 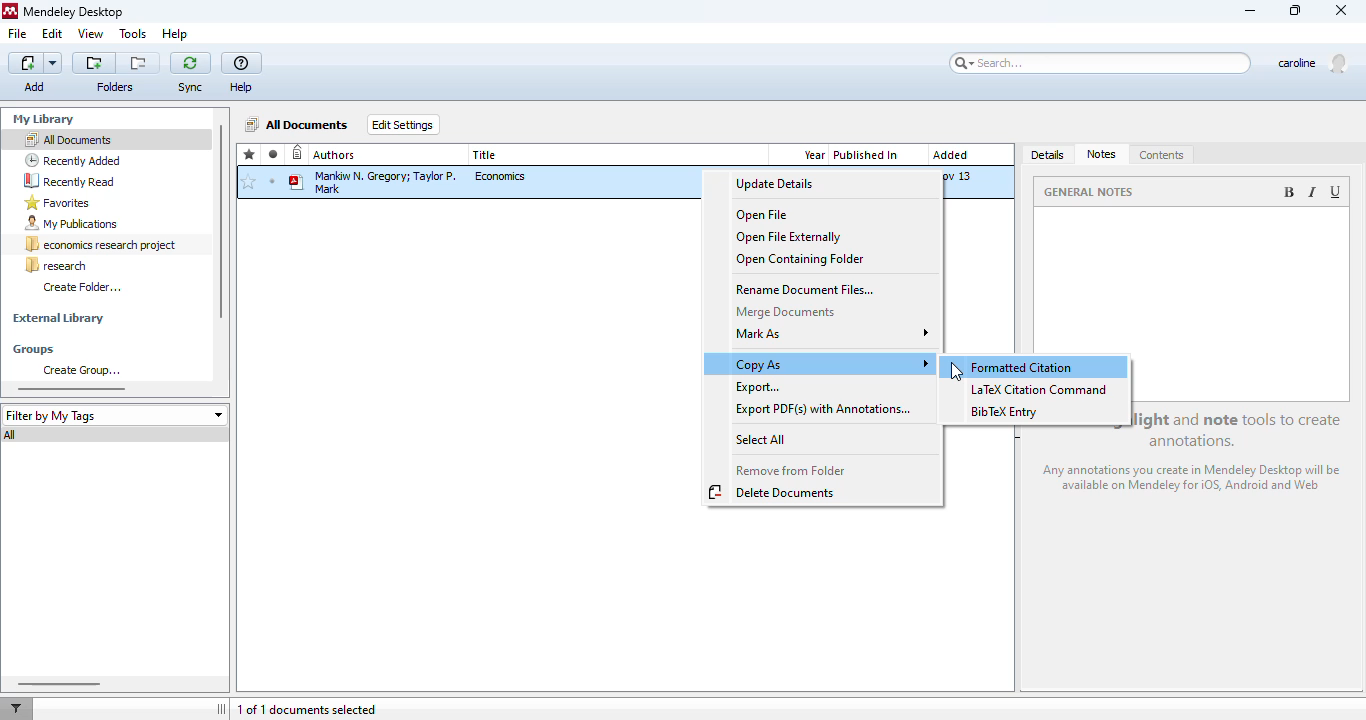 I want to click on 1 of 1 documents selected, so click(x=307, y=710).